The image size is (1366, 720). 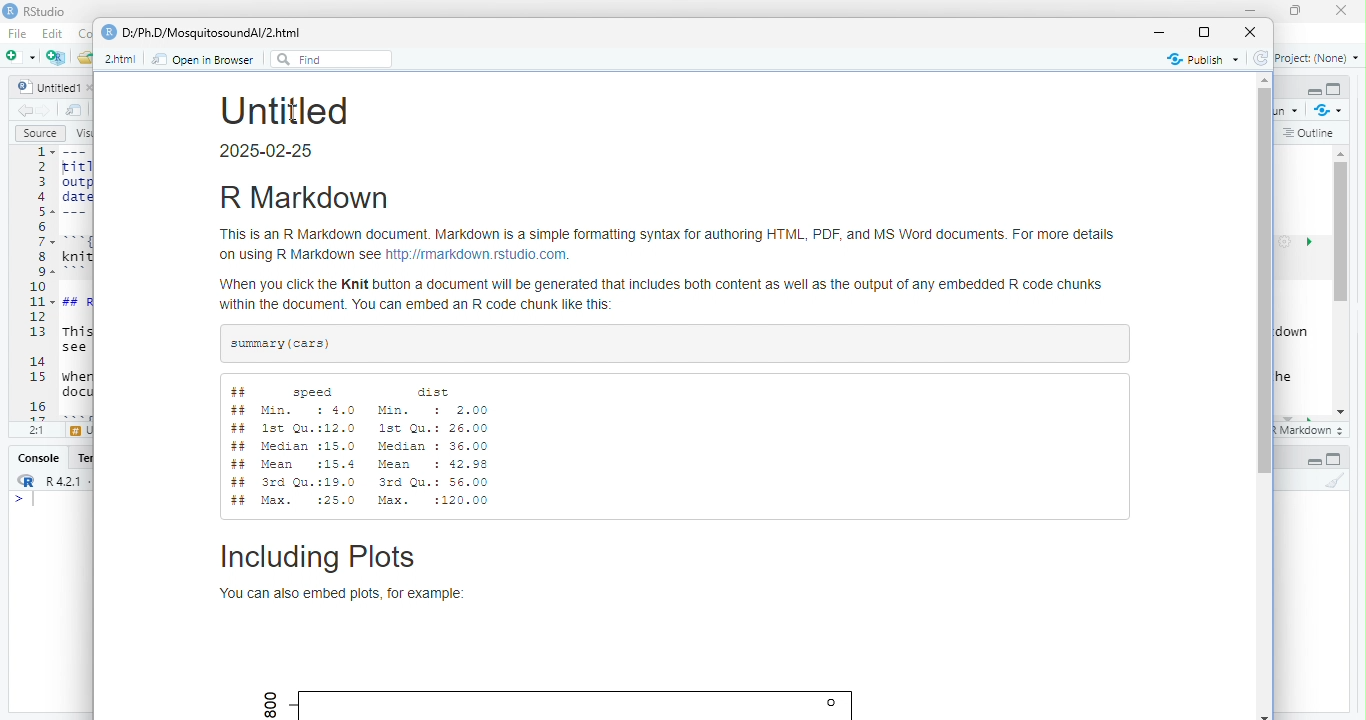 I want to click on scroll bottom, so click(x=1266, y=715).